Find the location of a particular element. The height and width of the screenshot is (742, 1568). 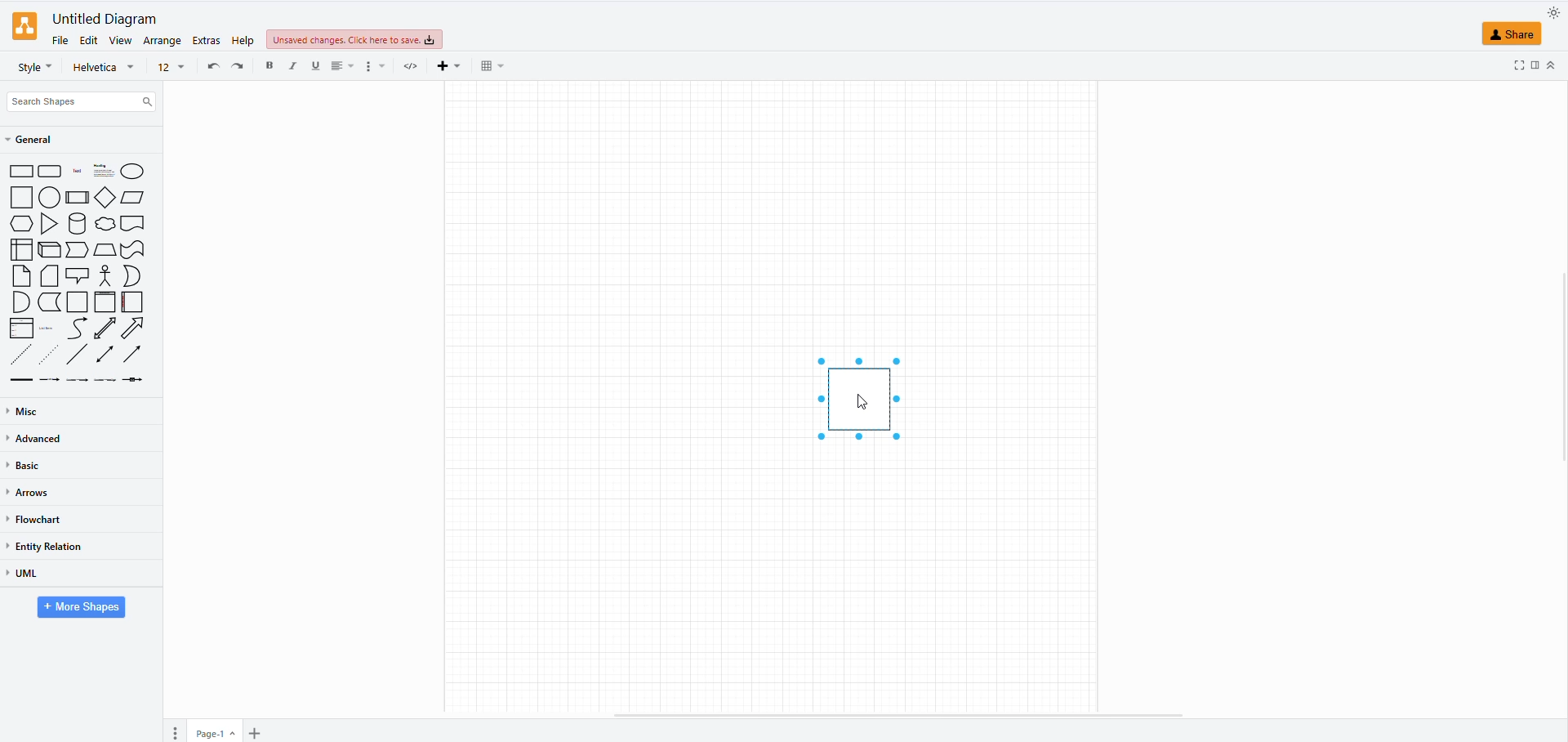

font is located at coordinates (104, 70).